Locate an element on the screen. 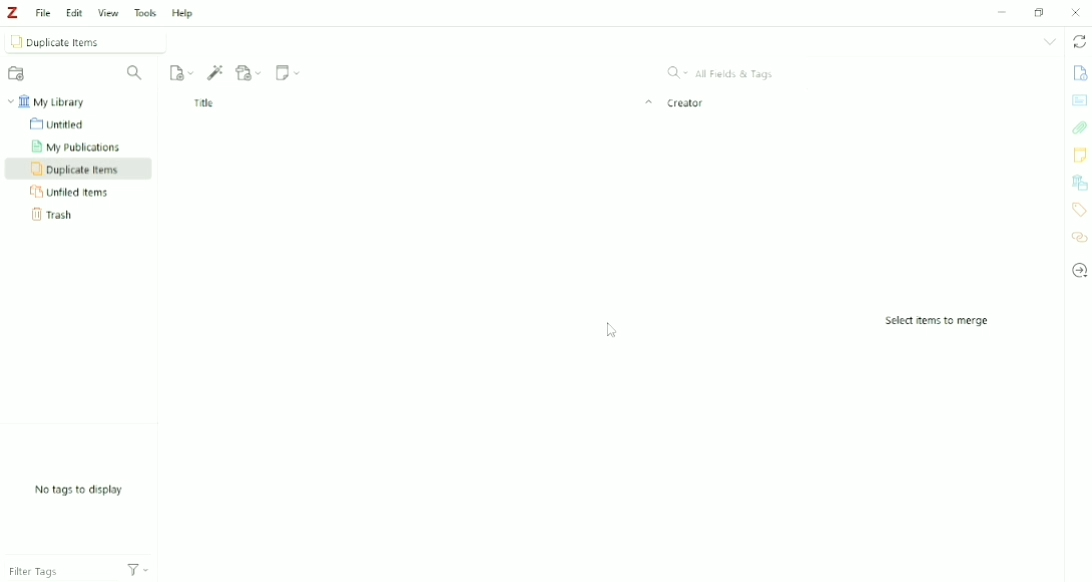 This screenshot has height=582, width=1092. Trash is located at coordinates (53, 215).